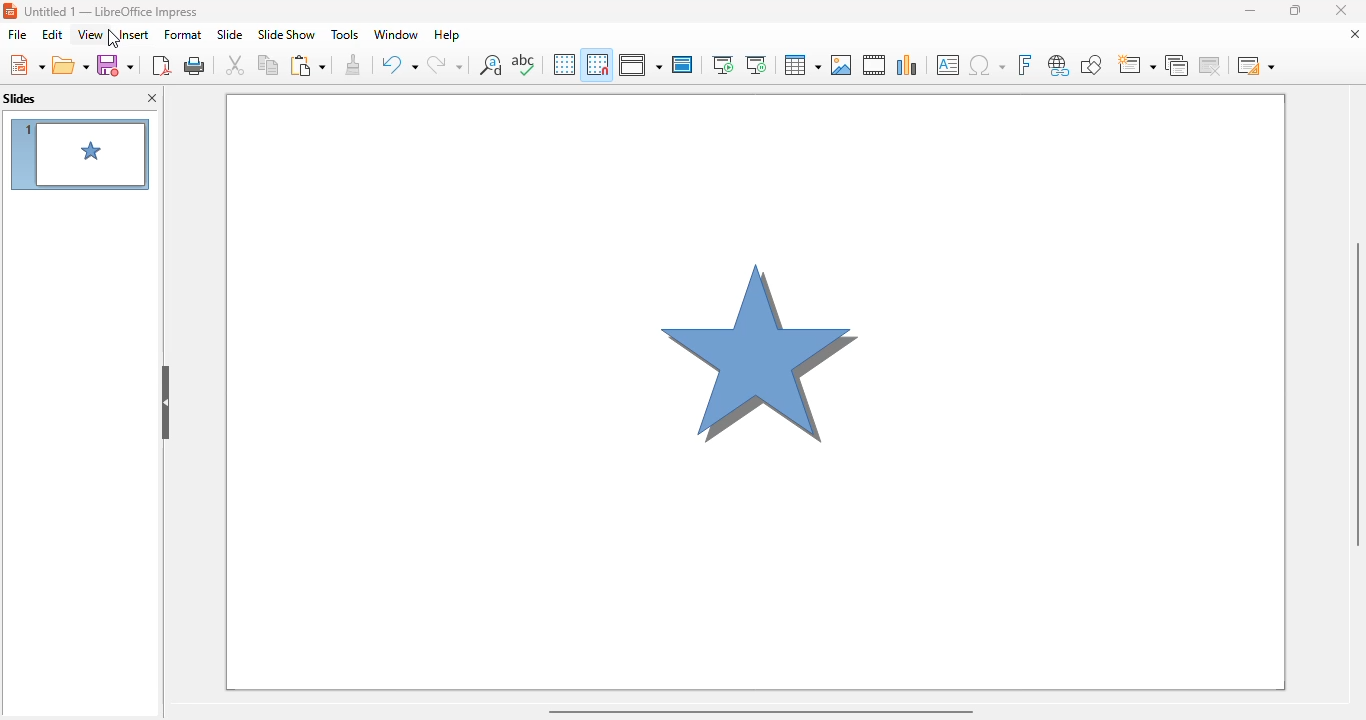 This screenshot has width=1366, height=720. I want to click on format, so click(183, 34).